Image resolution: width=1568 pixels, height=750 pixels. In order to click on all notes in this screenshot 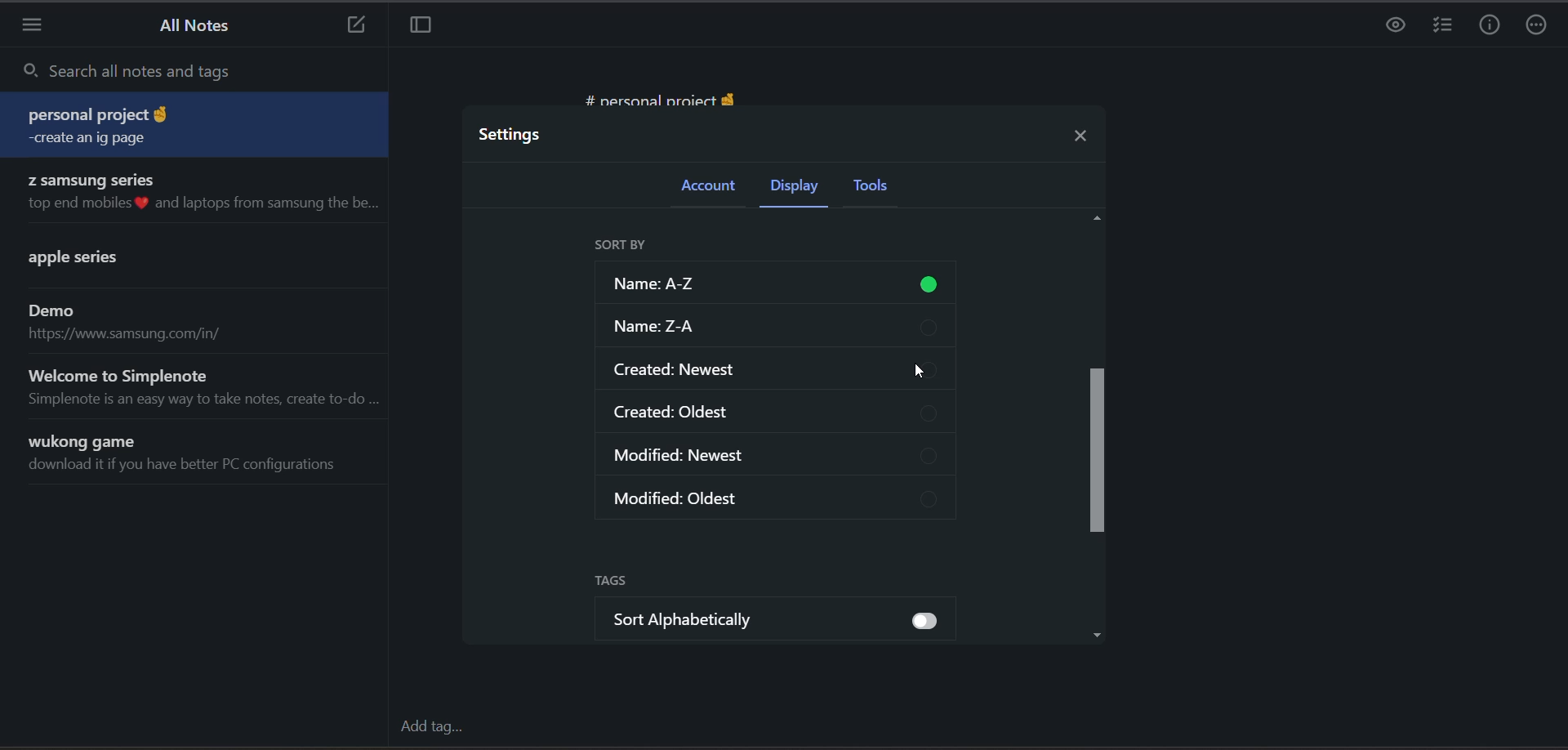, I will do `click(190, 27)`.